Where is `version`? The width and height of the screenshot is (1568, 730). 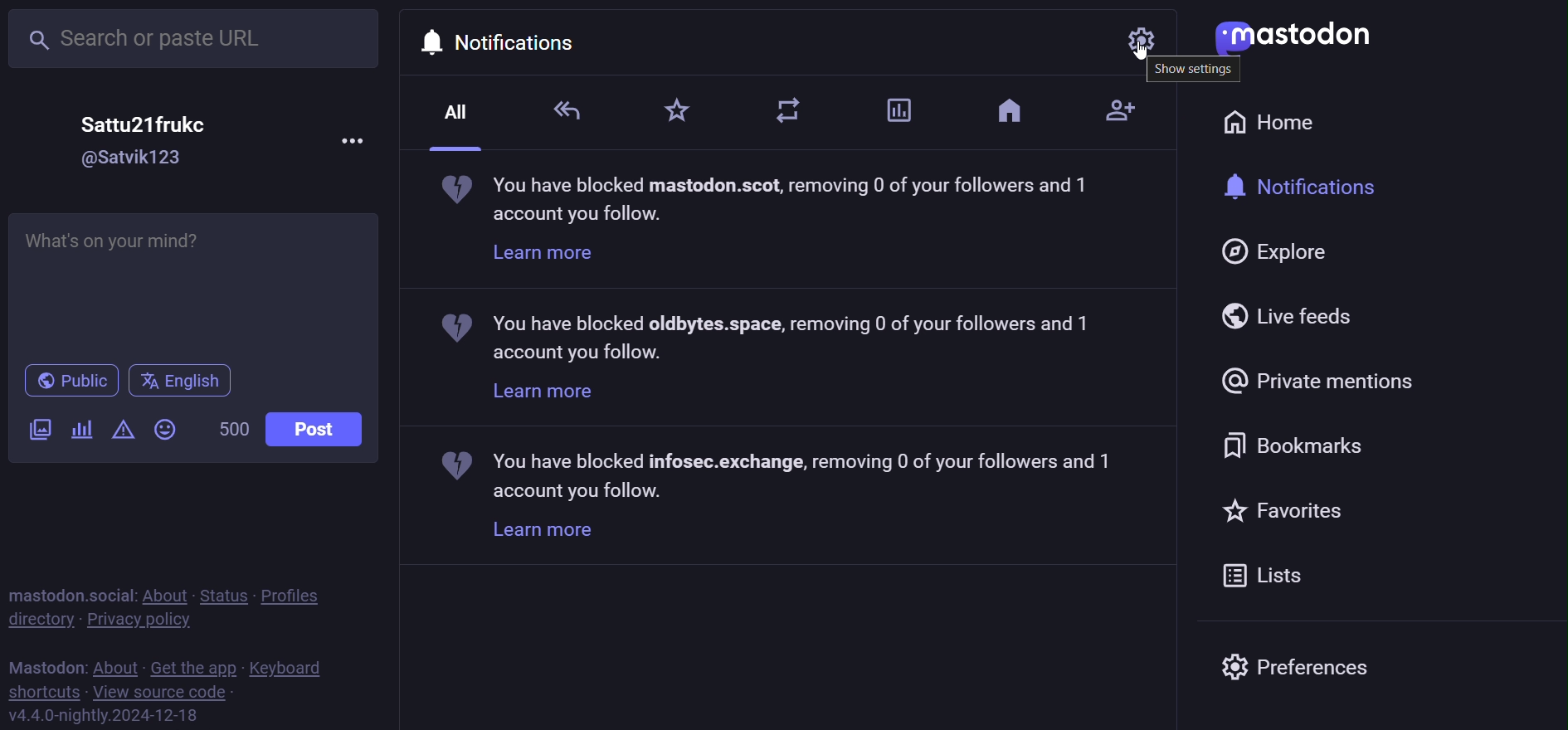
version is located at coordinates (105, 714).